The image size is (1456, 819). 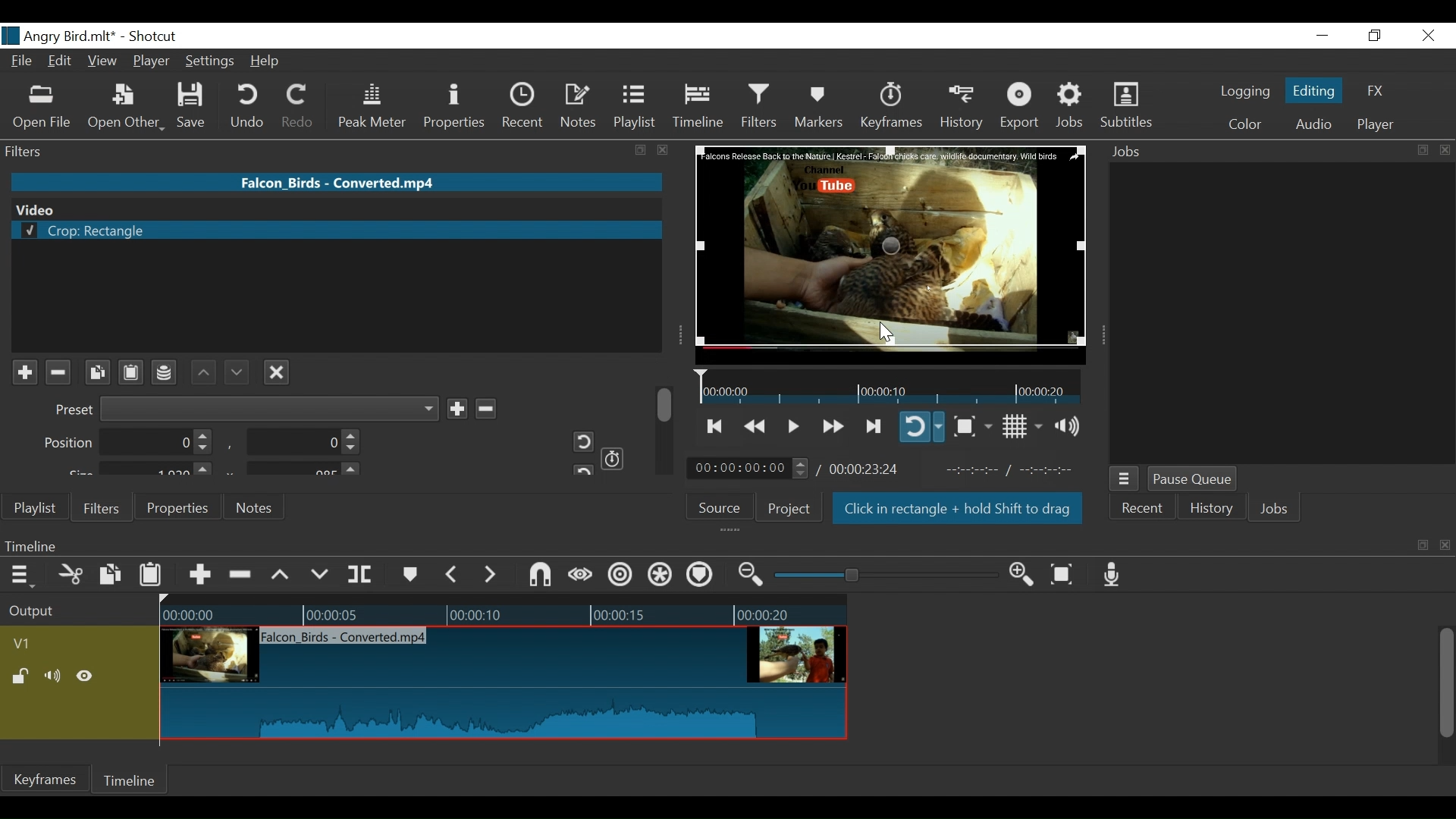 What do you see at coordinates (152, 578) in the screenshot?
I see `Paste` at bounding box center [152, 578].